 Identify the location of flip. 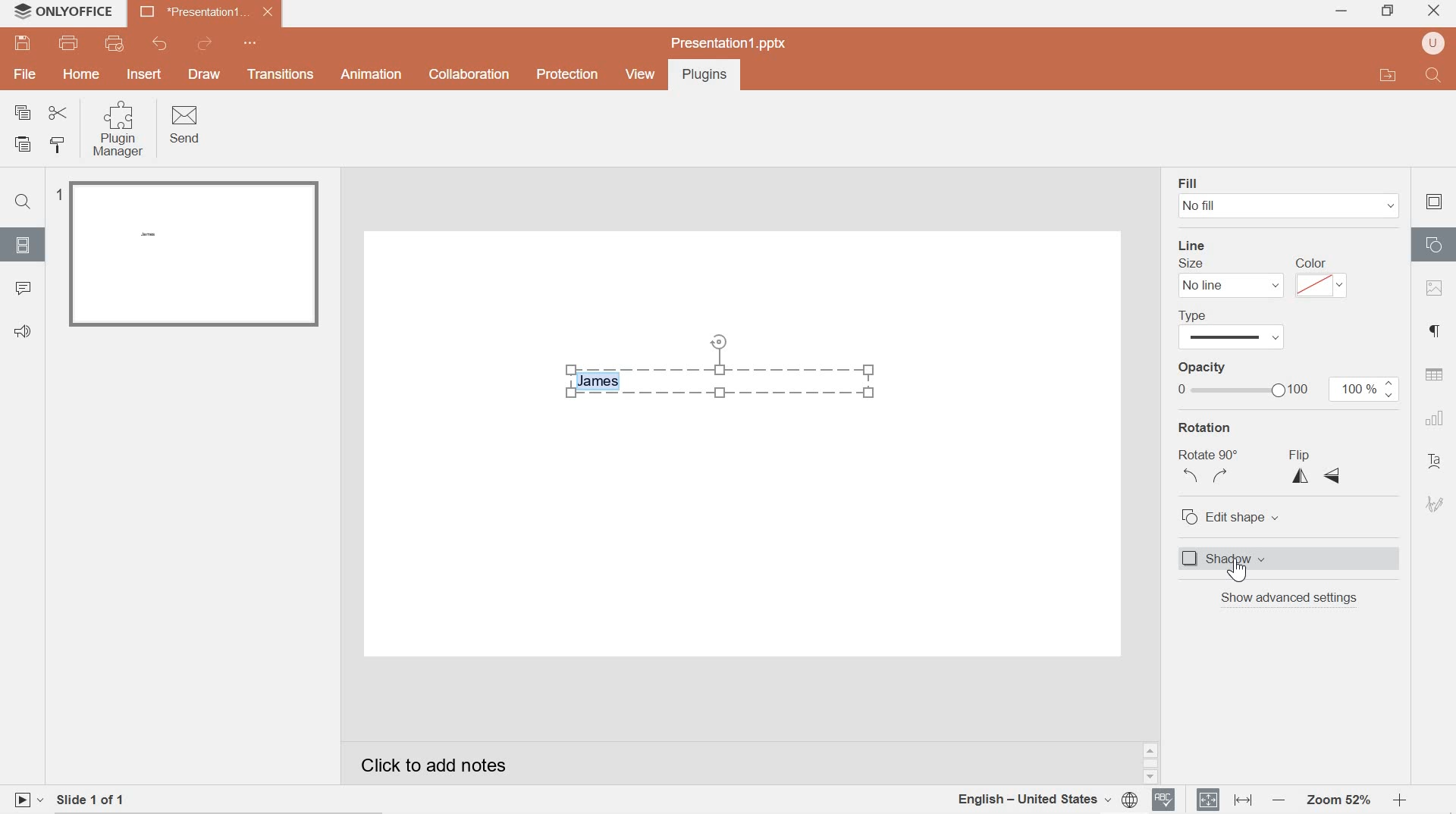
(1316, 467).